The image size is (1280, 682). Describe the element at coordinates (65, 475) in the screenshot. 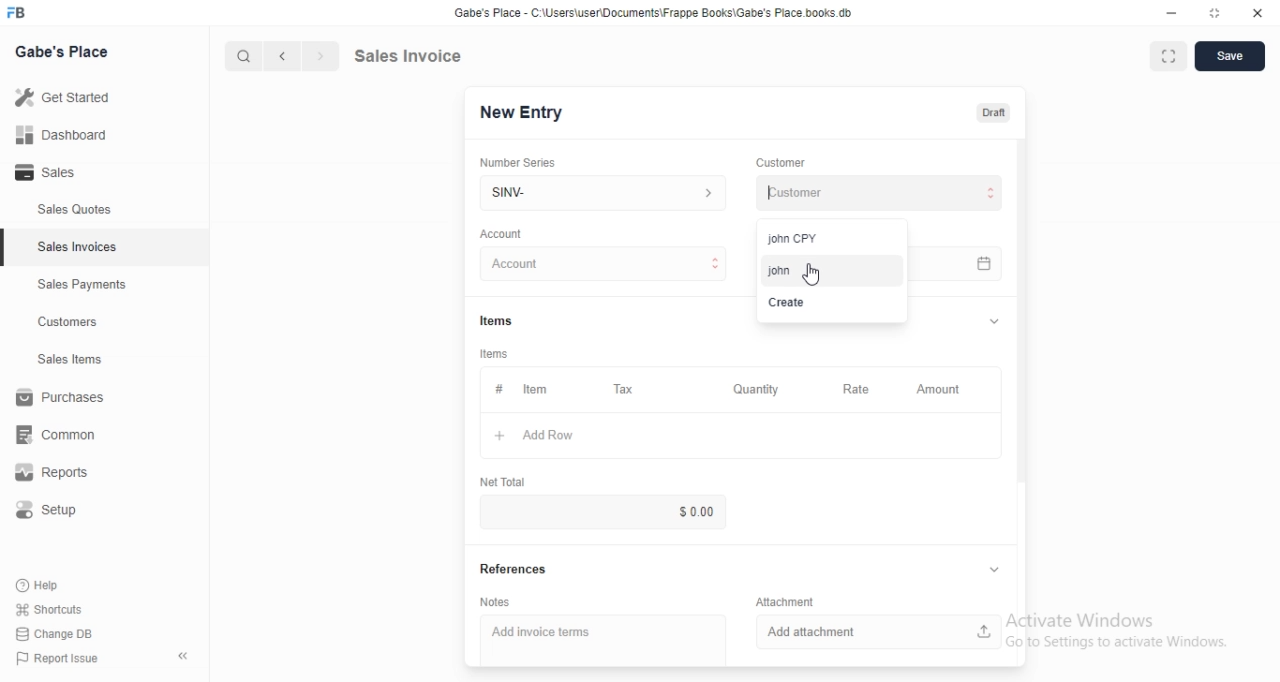

I see `Reports` at that location.